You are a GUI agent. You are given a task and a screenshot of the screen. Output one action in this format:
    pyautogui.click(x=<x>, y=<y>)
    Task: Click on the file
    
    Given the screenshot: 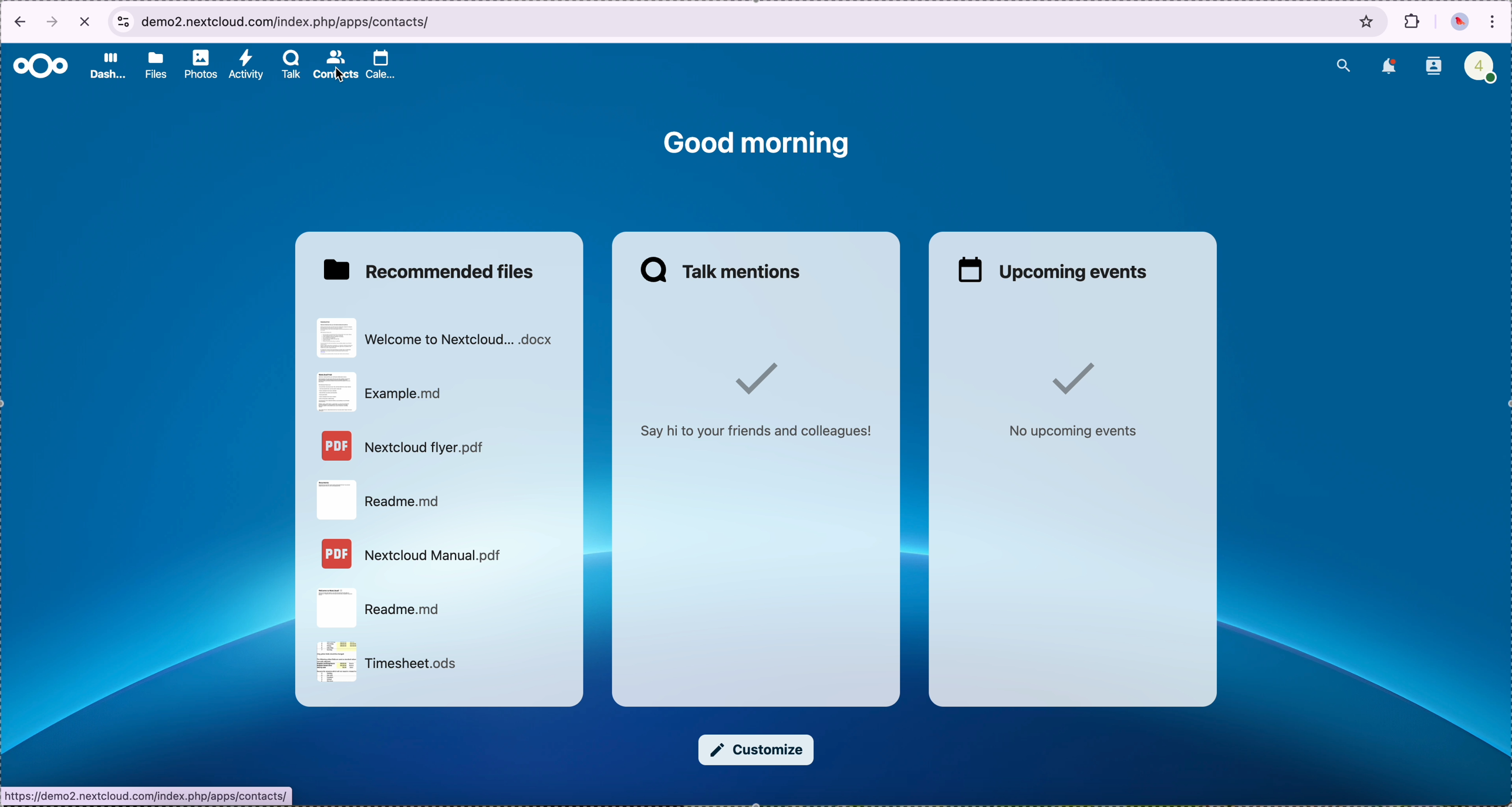 What is the action you would take?
    pyautogui.click(x=381, y=498)
    